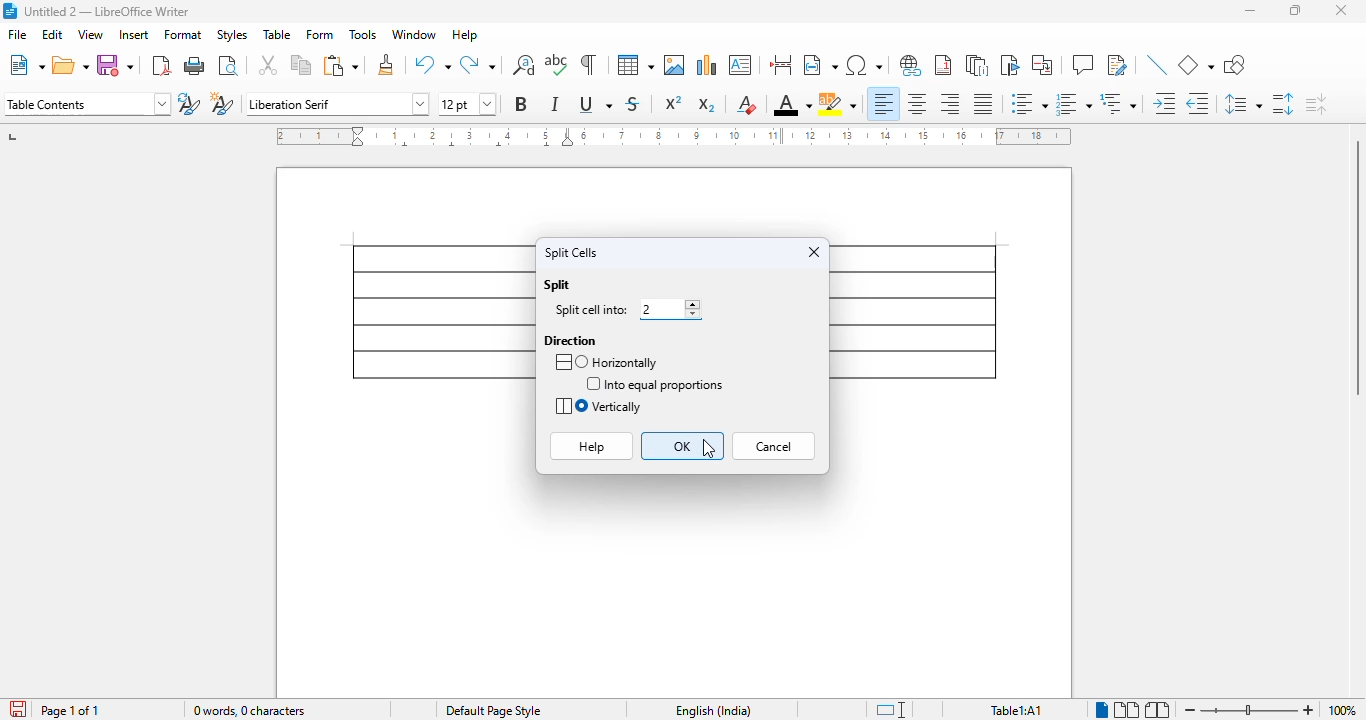 This screenshot has width=1366, height=720. I want to click on book view, so click(1157, 709).